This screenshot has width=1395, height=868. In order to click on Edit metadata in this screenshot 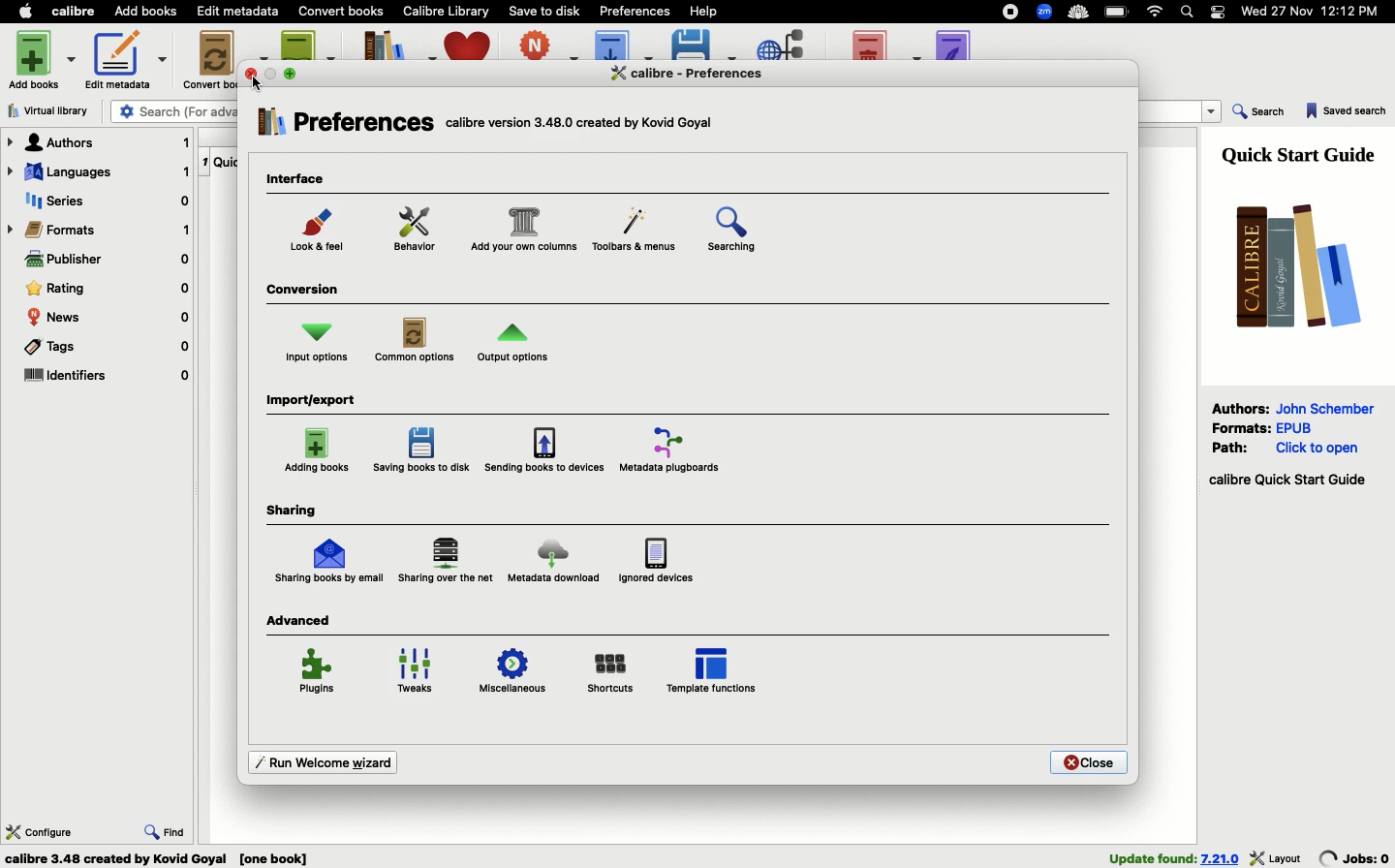, I will do `click(126, 60)`.